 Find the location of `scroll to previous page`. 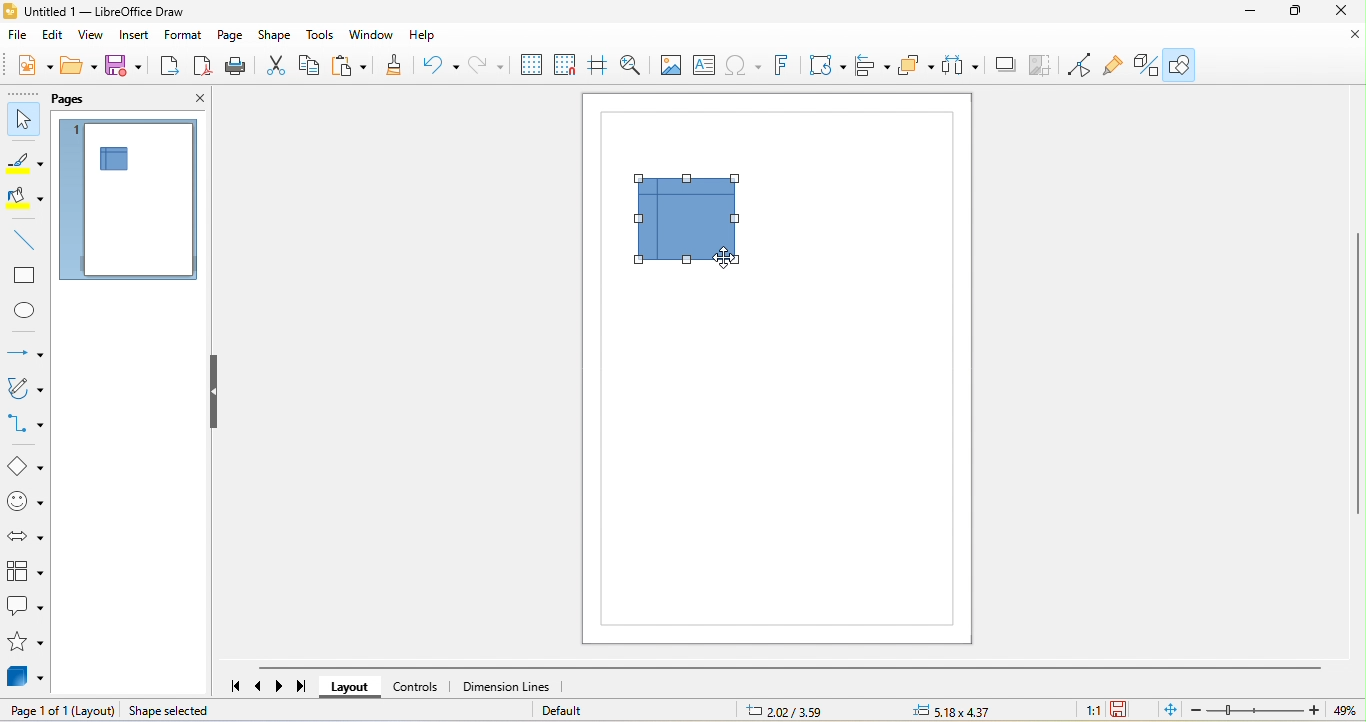

scroll to previous page is located at coordinates (260, 687).